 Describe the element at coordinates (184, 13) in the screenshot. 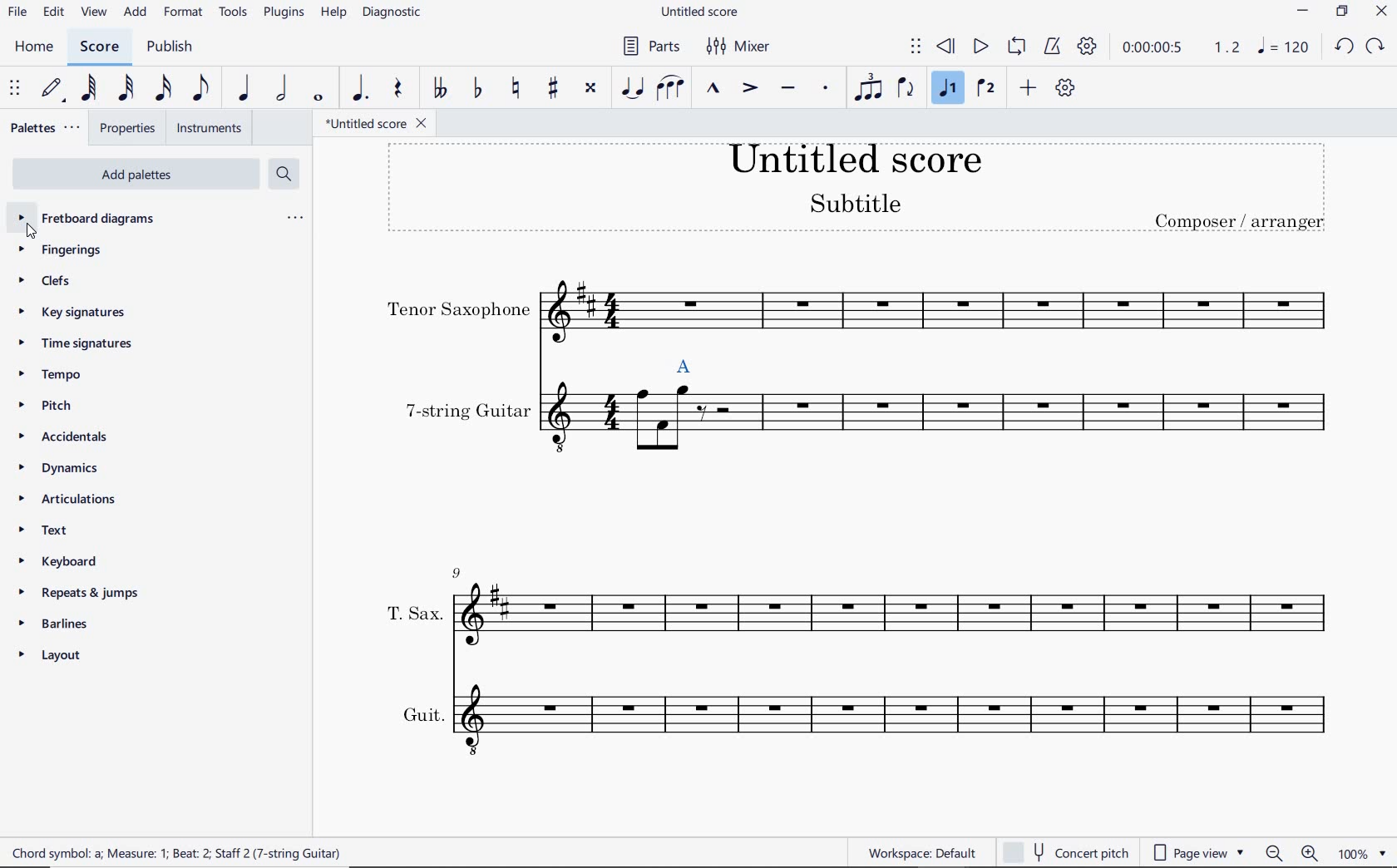

I see `FORMAT` at that location.